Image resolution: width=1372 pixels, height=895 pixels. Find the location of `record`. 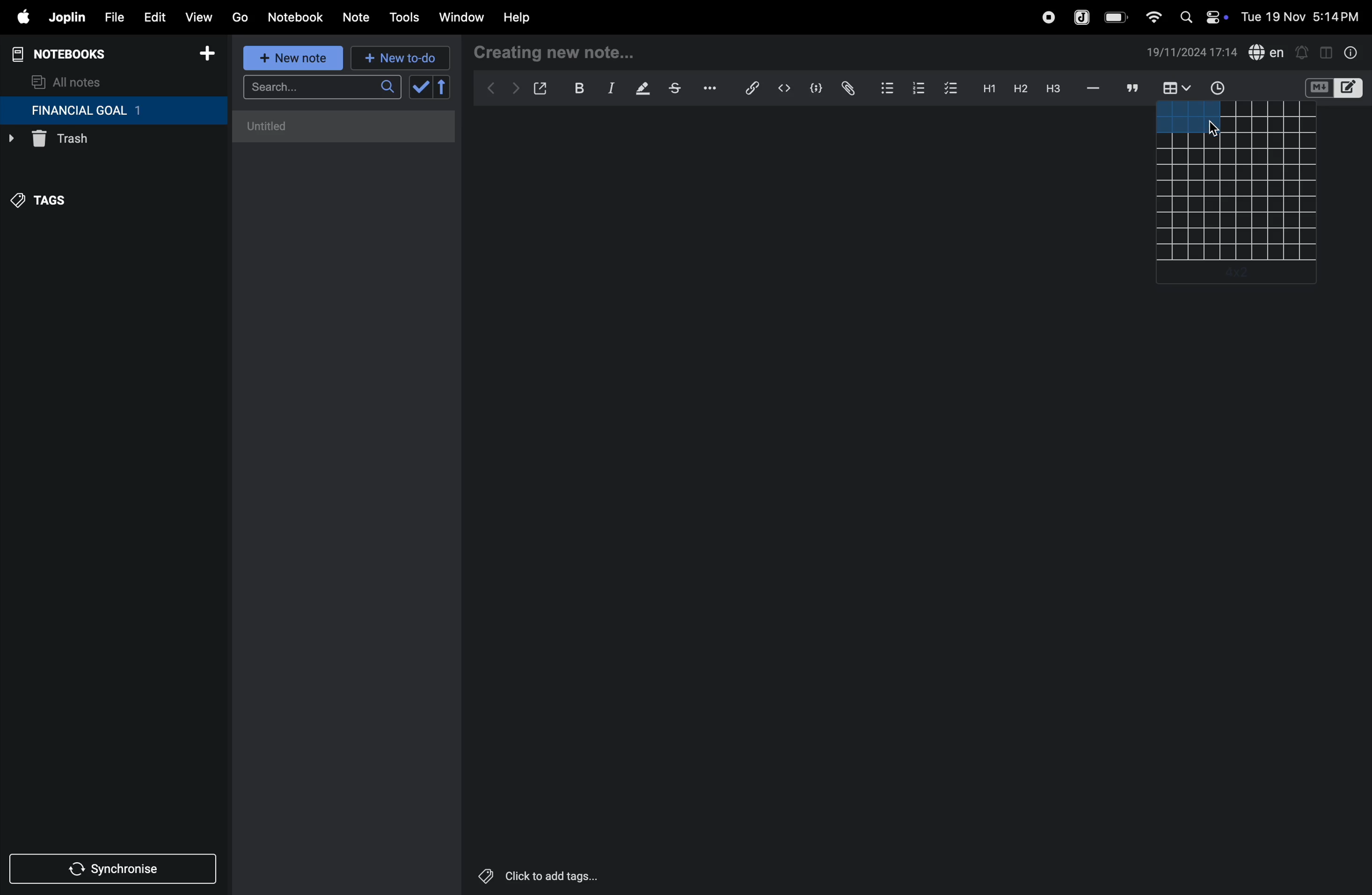

record is located at coordinates (1047, 17).